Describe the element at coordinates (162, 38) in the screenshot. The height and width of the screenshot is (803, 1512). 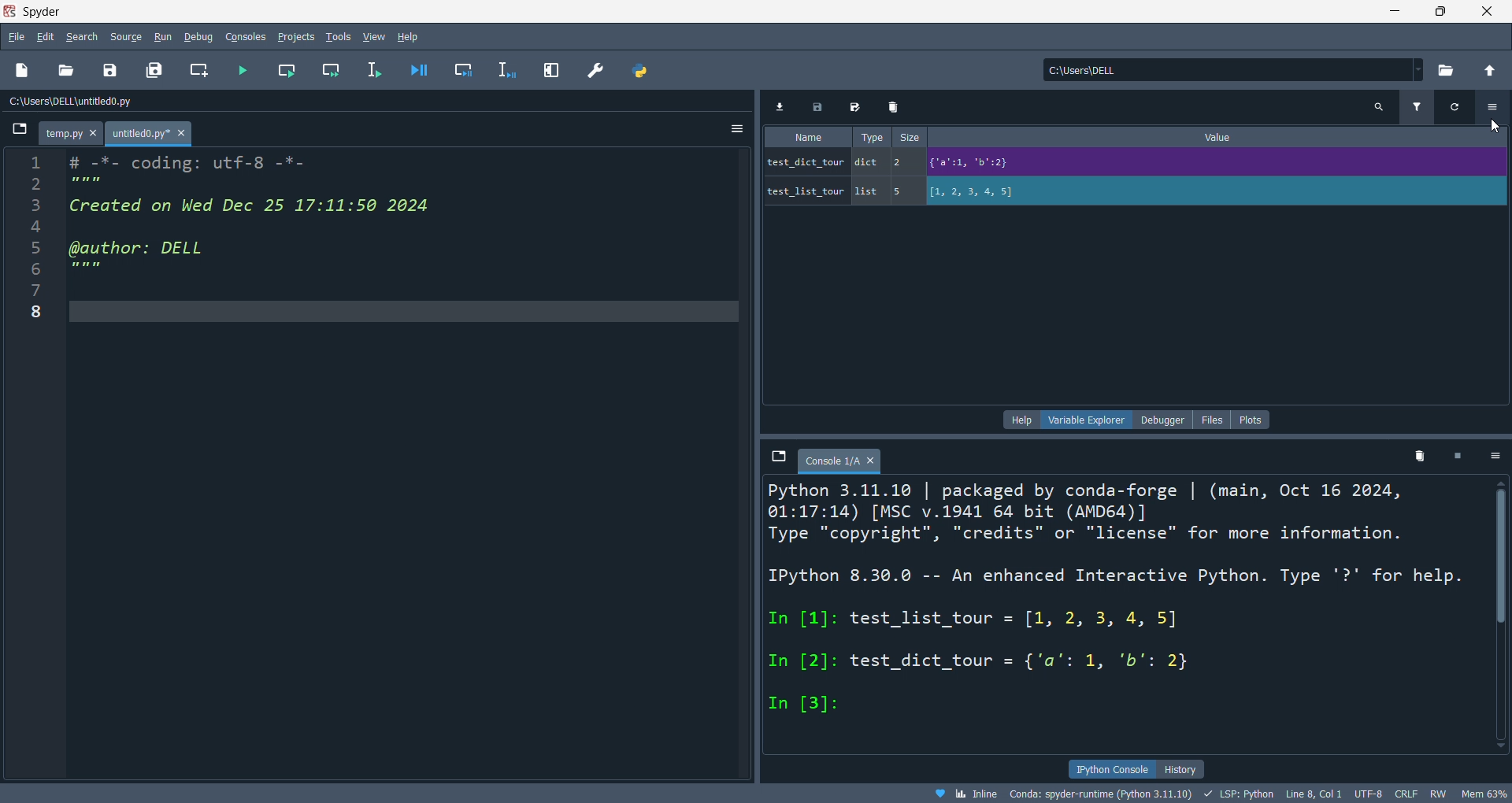
I see `run` at that location.